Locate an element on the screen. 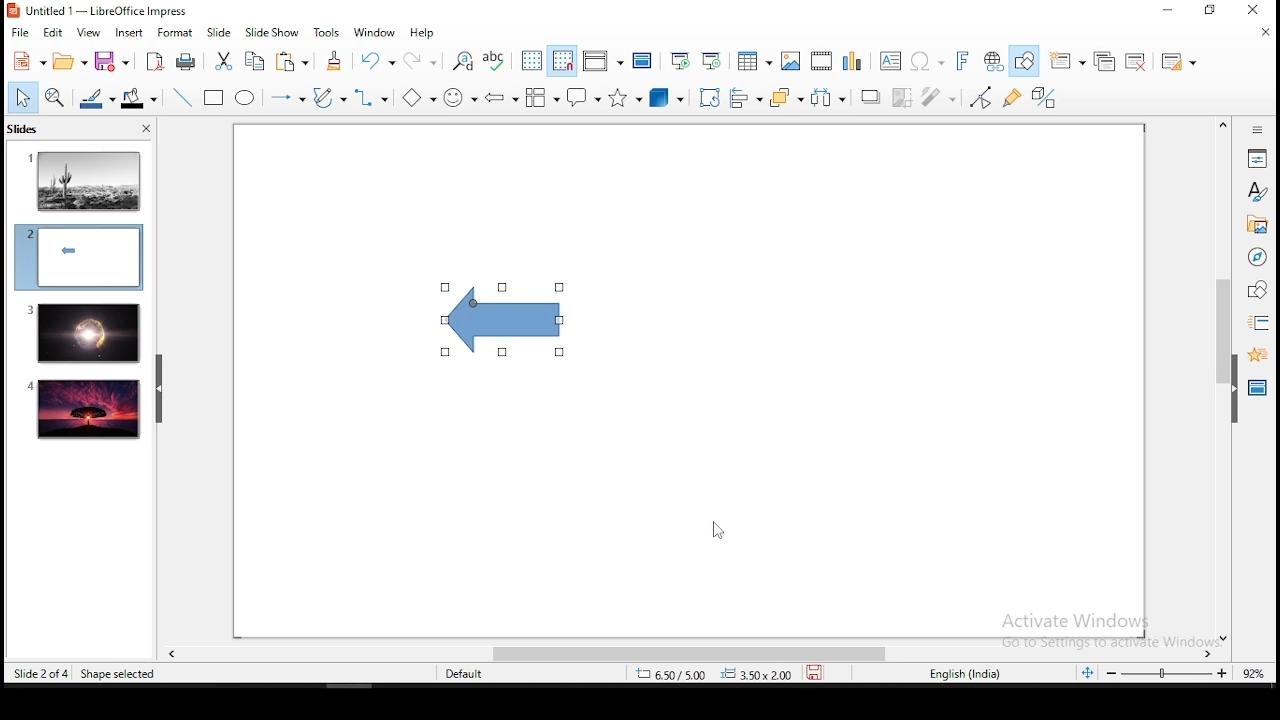 The image size is (1280, 720). insert audio and video is located at coordinates (821, 62).